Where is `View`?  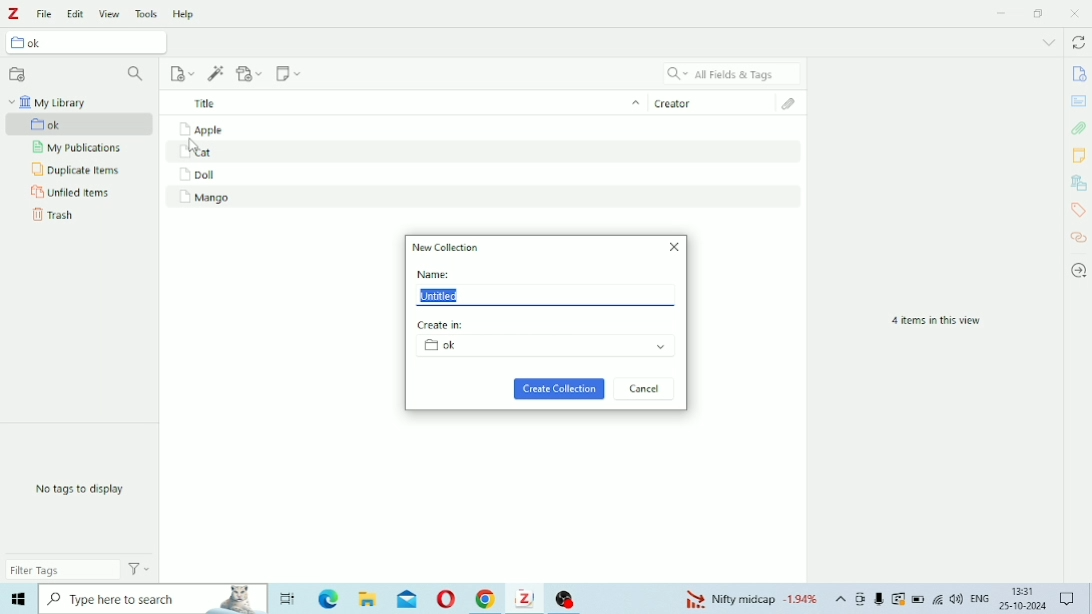 View is located at coordinates (109, 14).